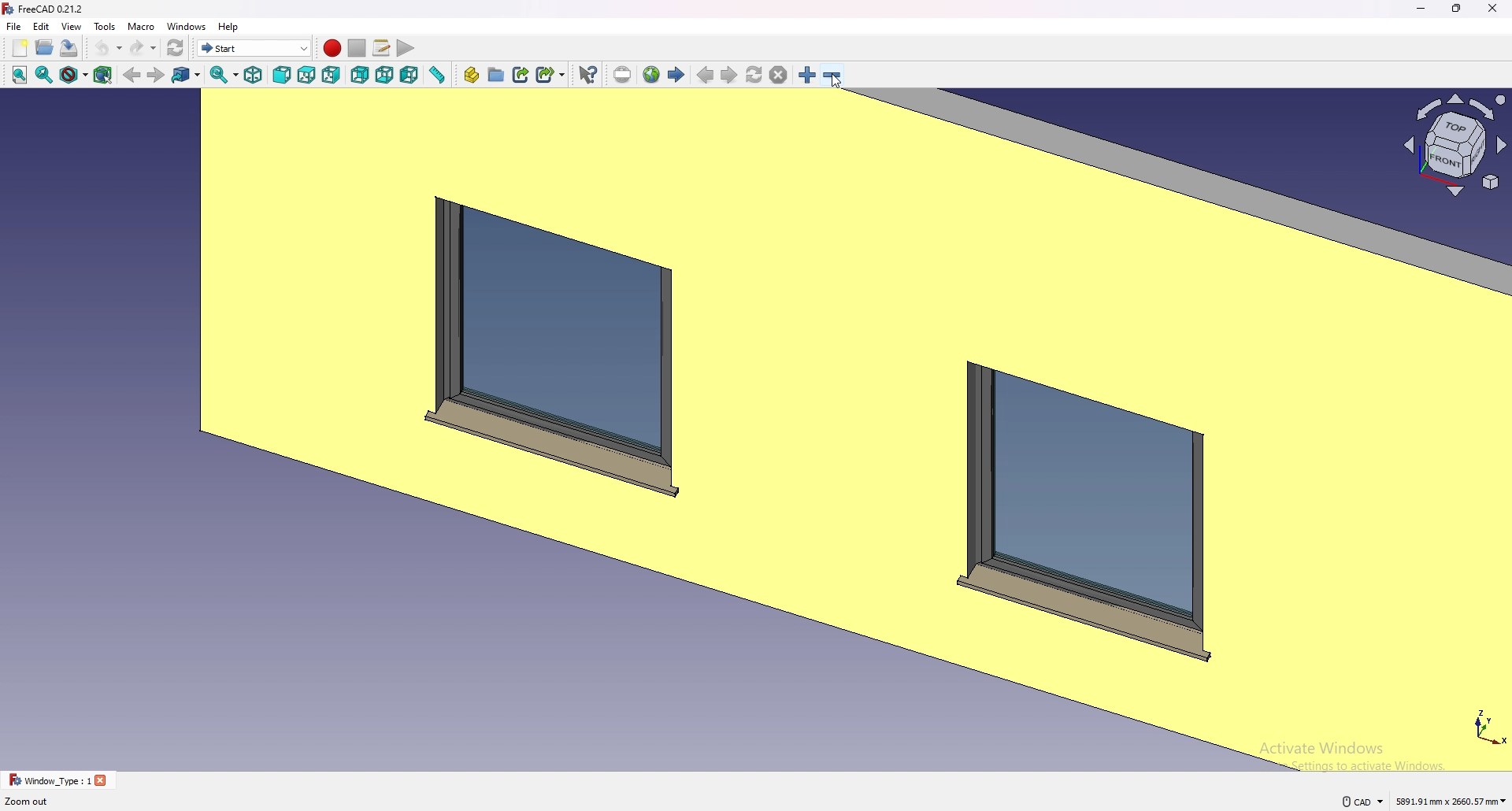 Image resolution: width=1512 pixels, height=811 pixels. I want to click on cursor, so click(837, 81).